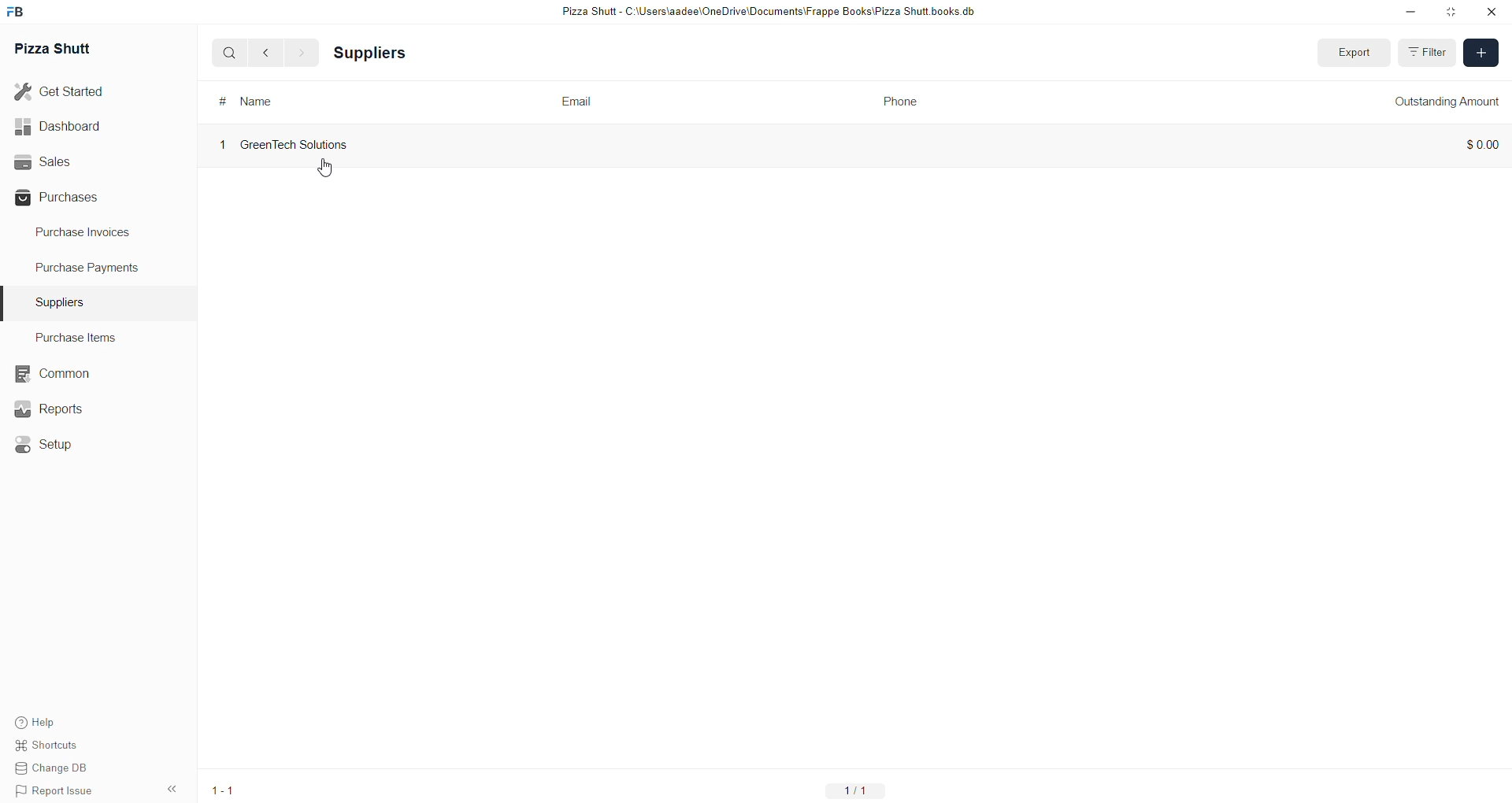 The width and height of the screenshot is (1512, 803). What do you see at coordinates (1435, 53) in the screenshot?
I see ` Filter` at bounding box center [1435, 53].